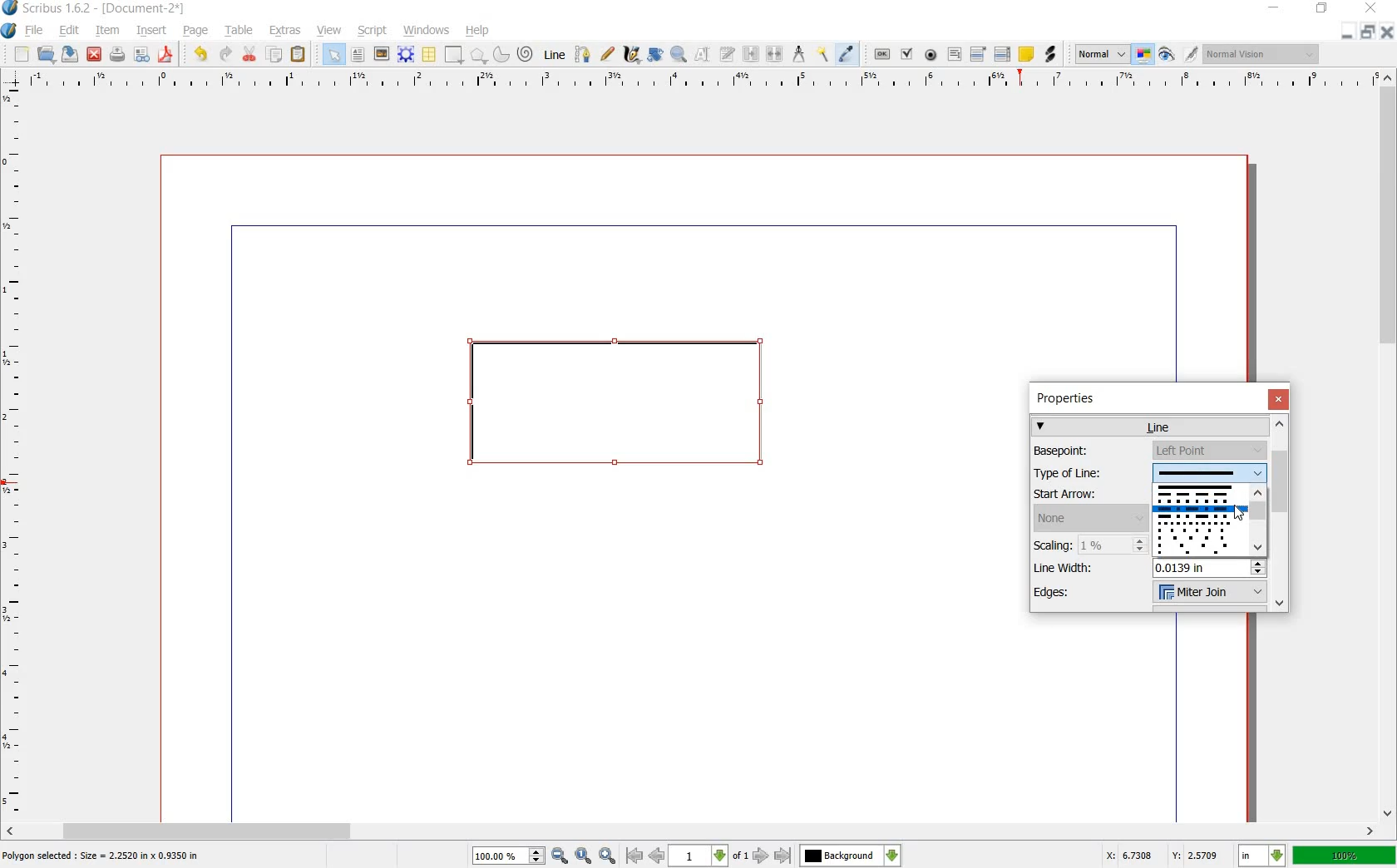 Image resolution: width=1397 pixels, height=868 pixels. What do you see at coordinates (1260, 54) in the screenshot?
I see `visual appearance of the display` at bounding box center [1260, 54].